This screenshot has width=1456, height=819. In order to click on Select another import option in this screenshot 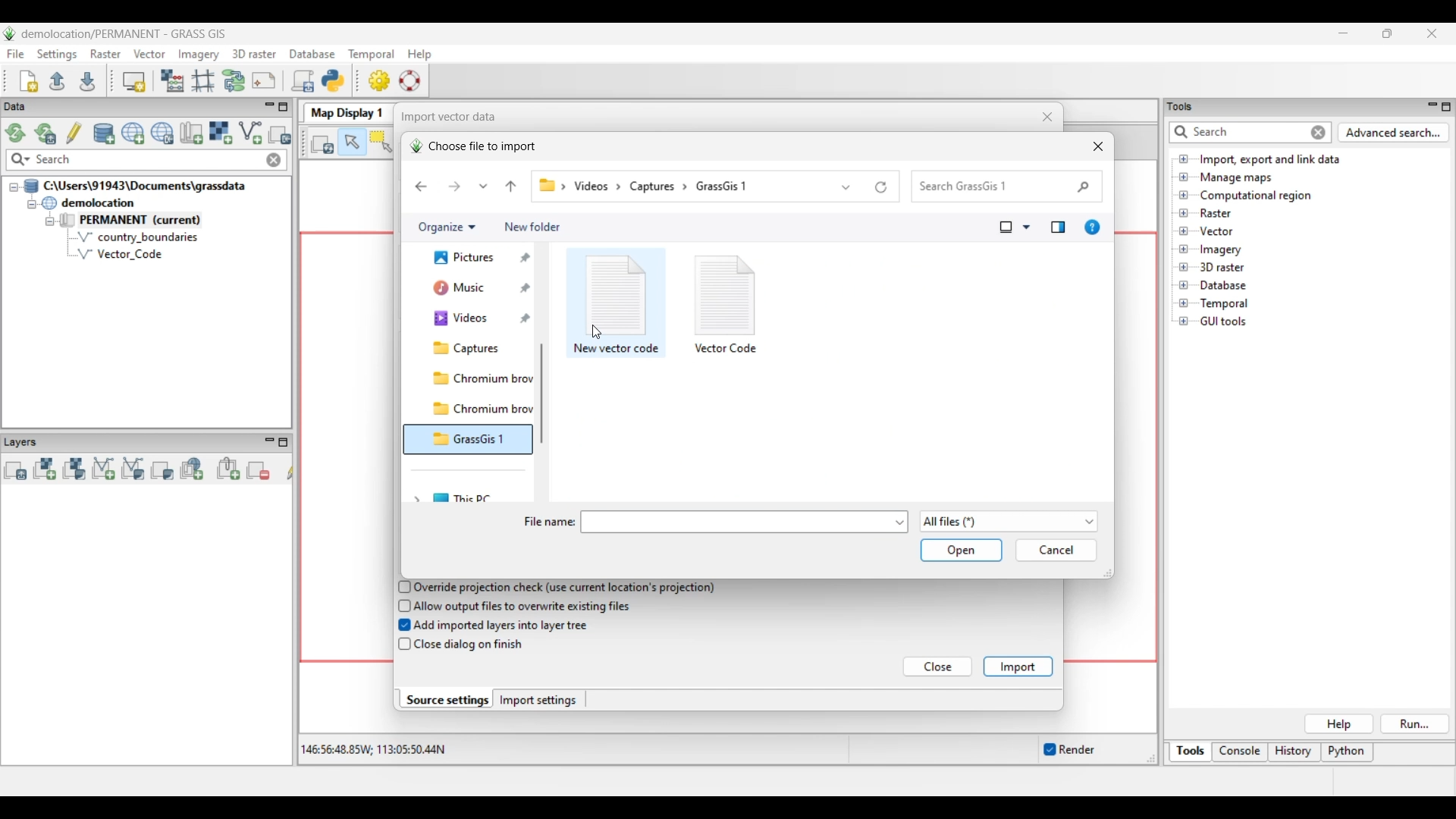, I will do `click(279, 134)`.